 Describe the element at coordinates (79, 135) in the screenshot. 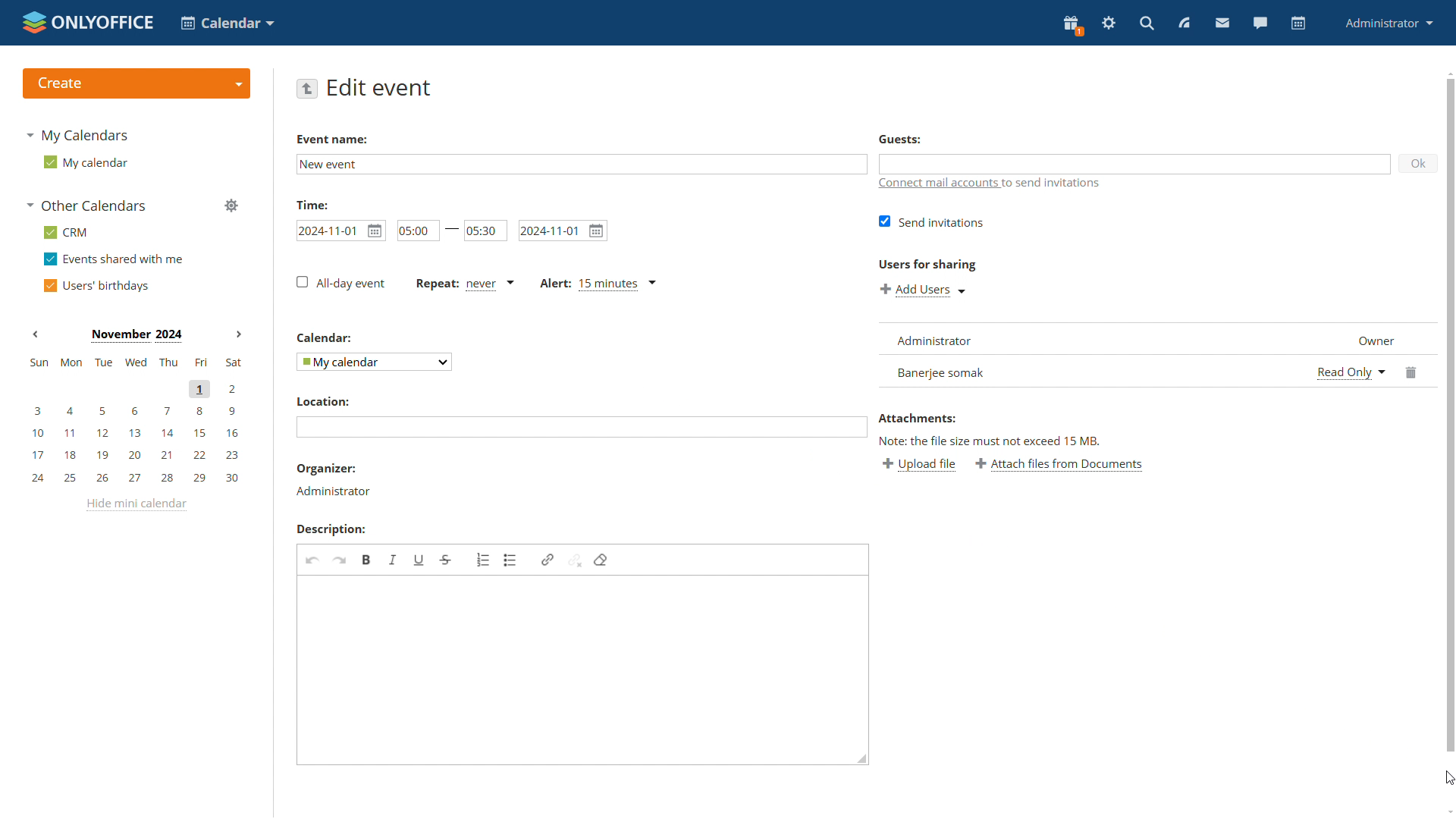

I see `my calendars` at that location.